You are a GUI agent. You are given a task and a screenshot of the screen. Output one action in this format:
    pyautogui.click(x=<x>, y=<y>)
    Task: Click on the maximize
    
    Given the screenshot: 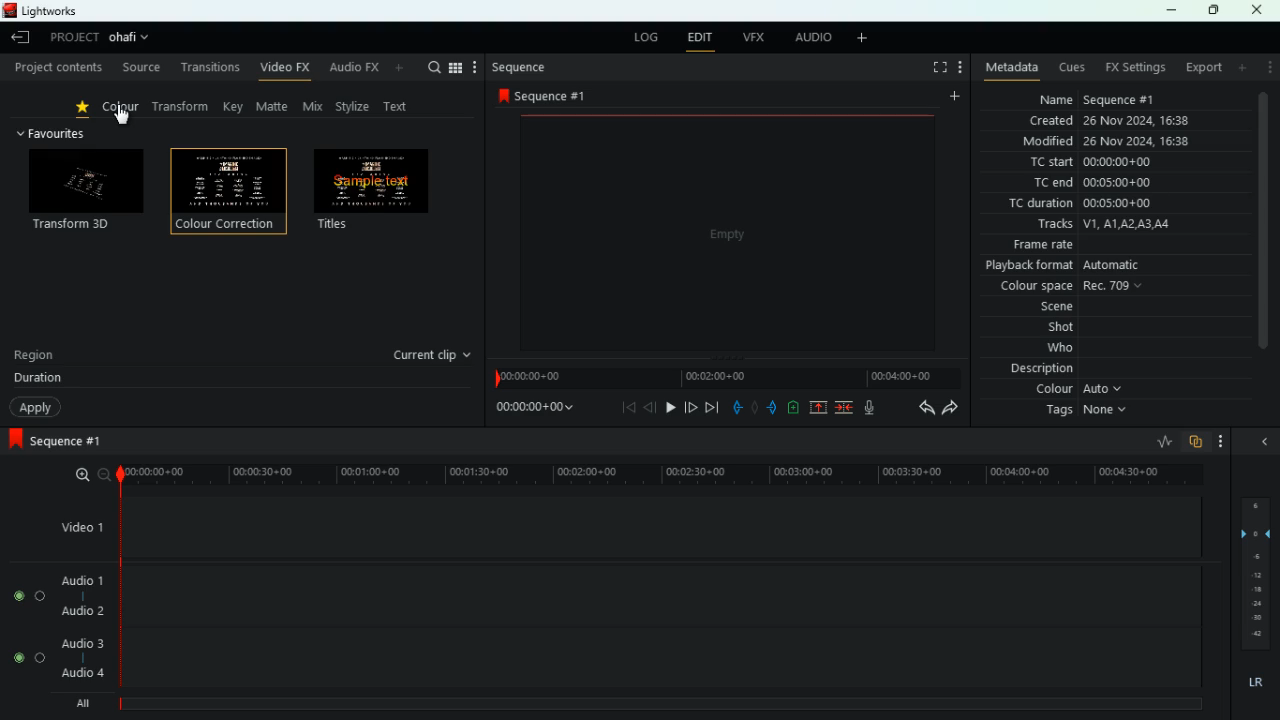 What is the action you would take?
    pyautogui.click(x=1212, y=11)
    